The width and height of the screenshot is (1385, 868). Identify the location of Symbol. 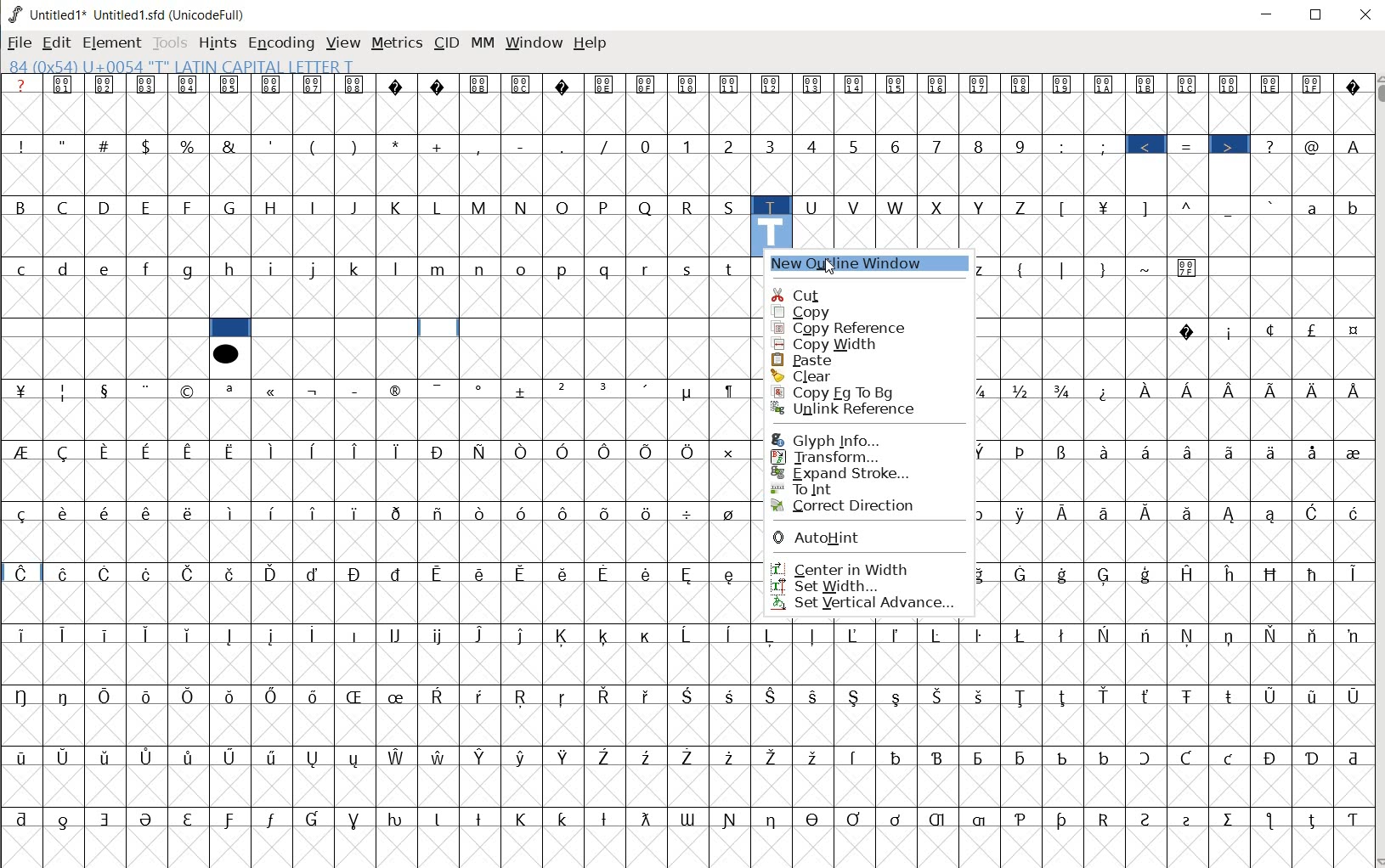
(1232, 391).